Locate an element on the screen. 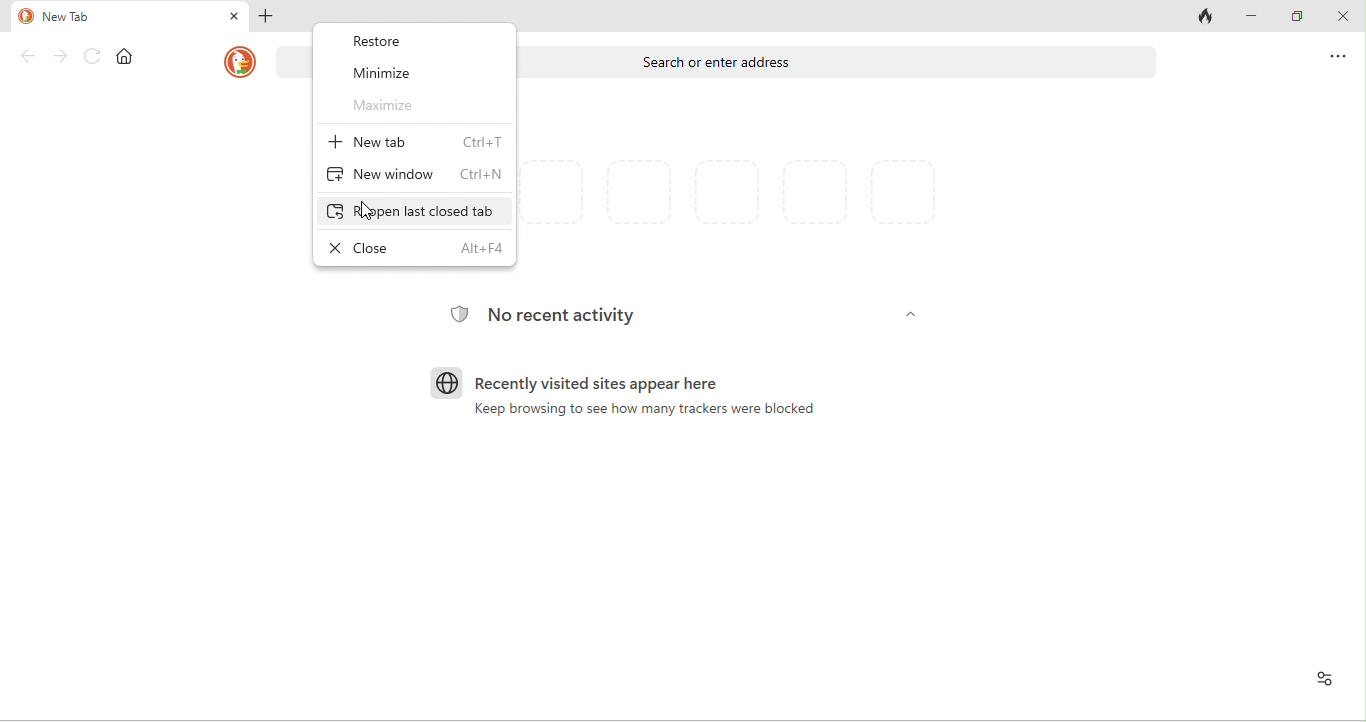 The image size is (1366, 722). close is located at coordinates (416, 249).